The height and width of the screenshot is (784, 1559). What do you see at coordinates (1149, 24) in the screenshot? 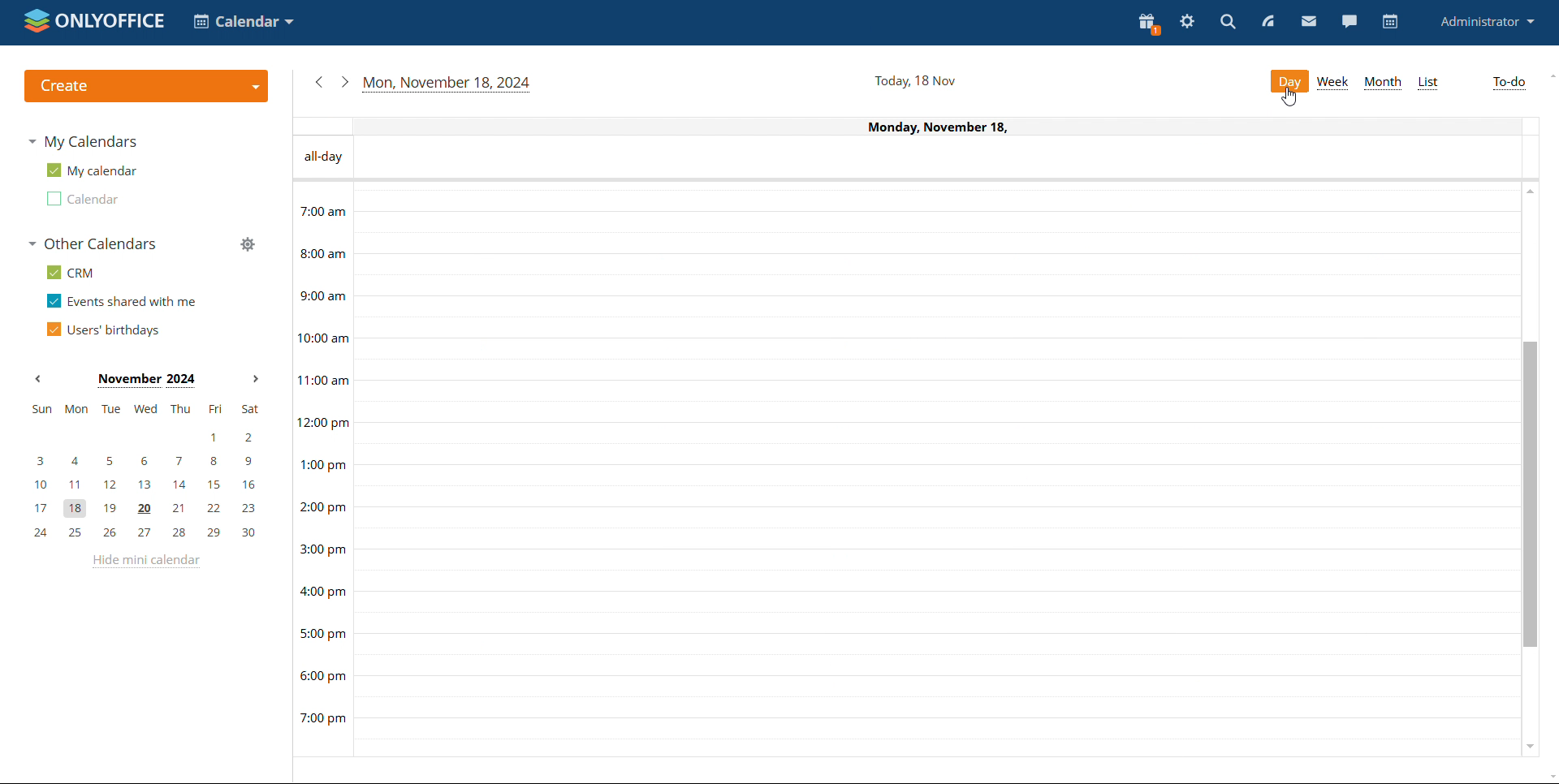
I see `present` at bounding box center [1149, 24].